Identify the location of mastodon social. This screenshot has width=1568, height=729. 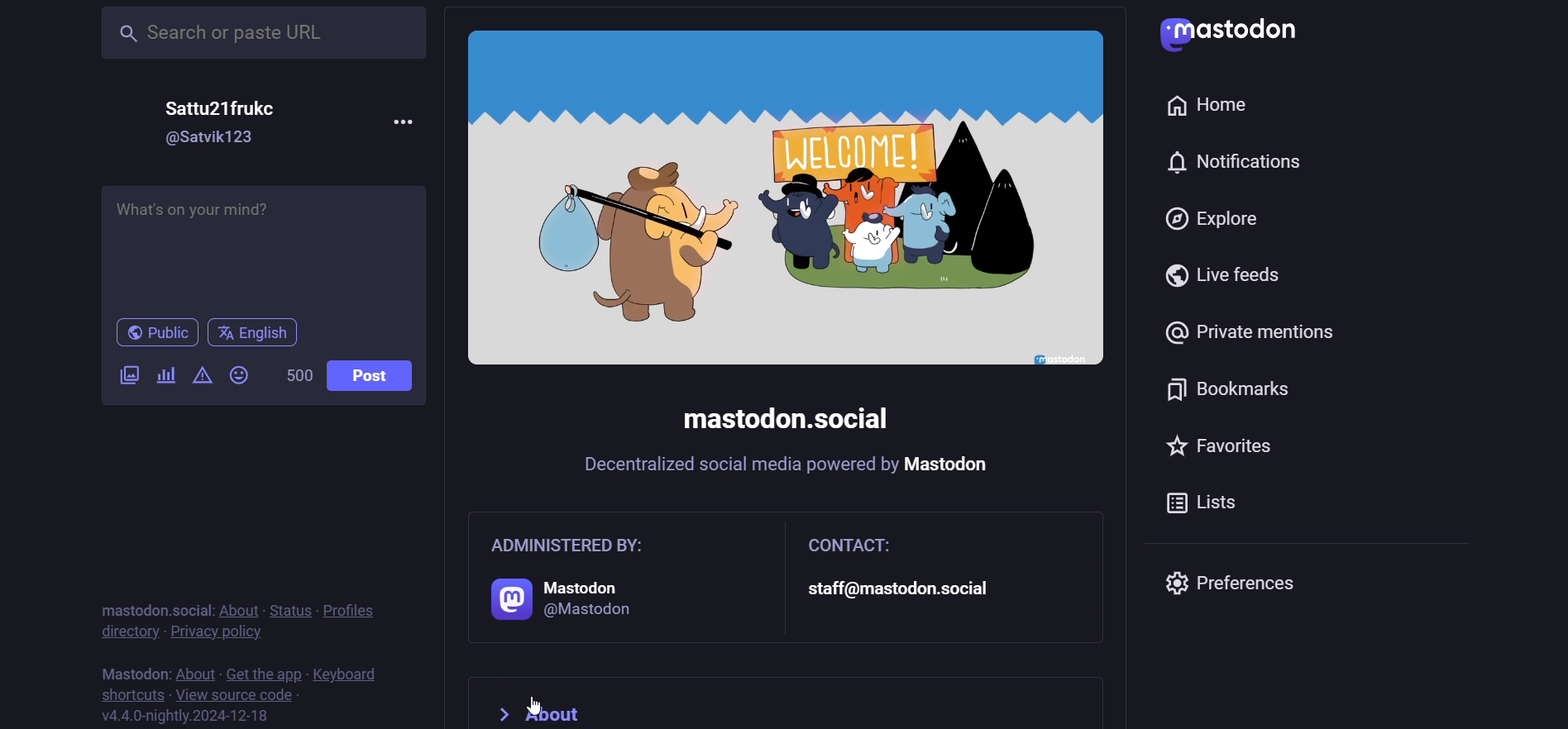
(148, 609).